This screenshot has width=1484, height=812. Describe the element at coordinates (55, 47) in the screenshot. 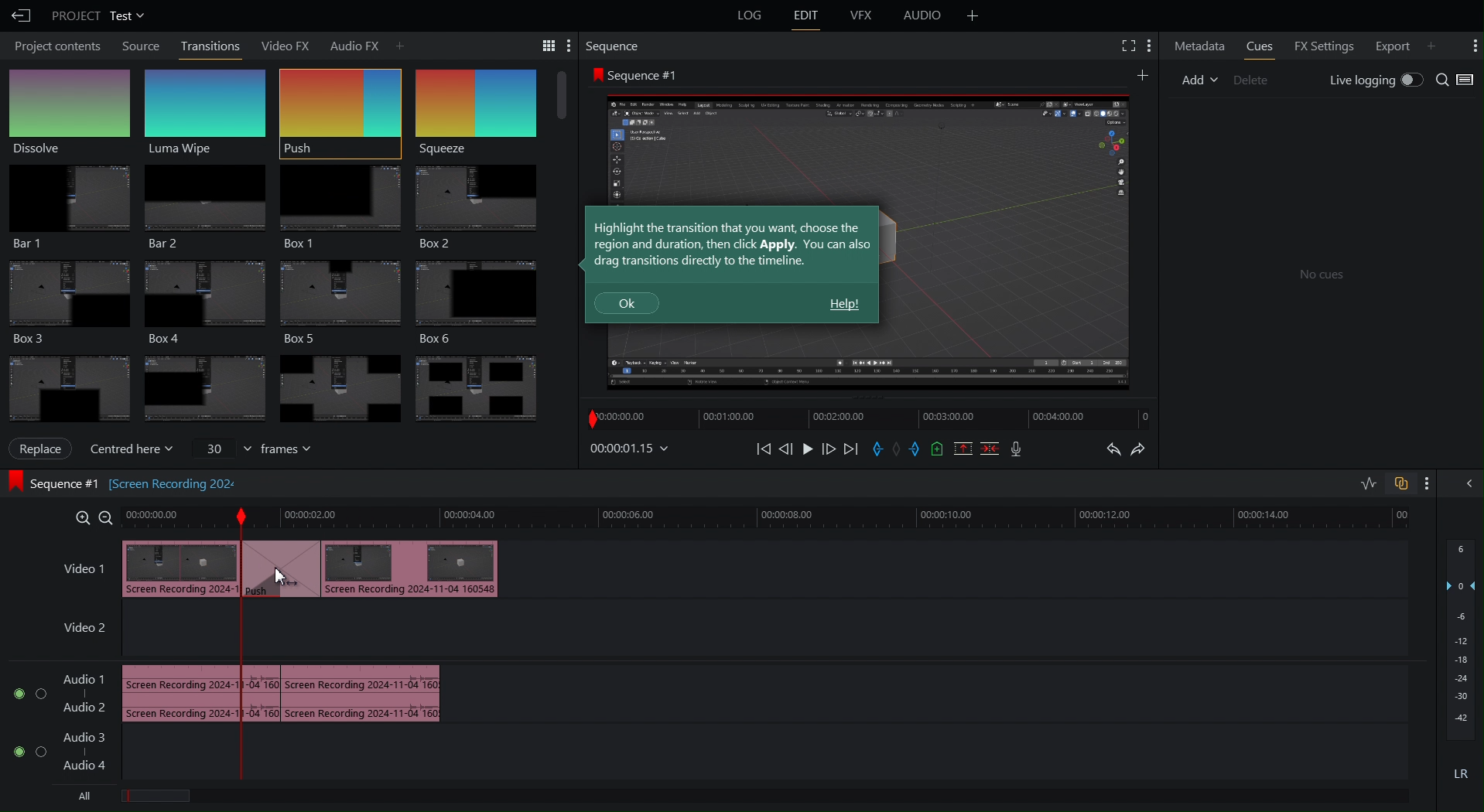

I see `Project Contents` at that location.